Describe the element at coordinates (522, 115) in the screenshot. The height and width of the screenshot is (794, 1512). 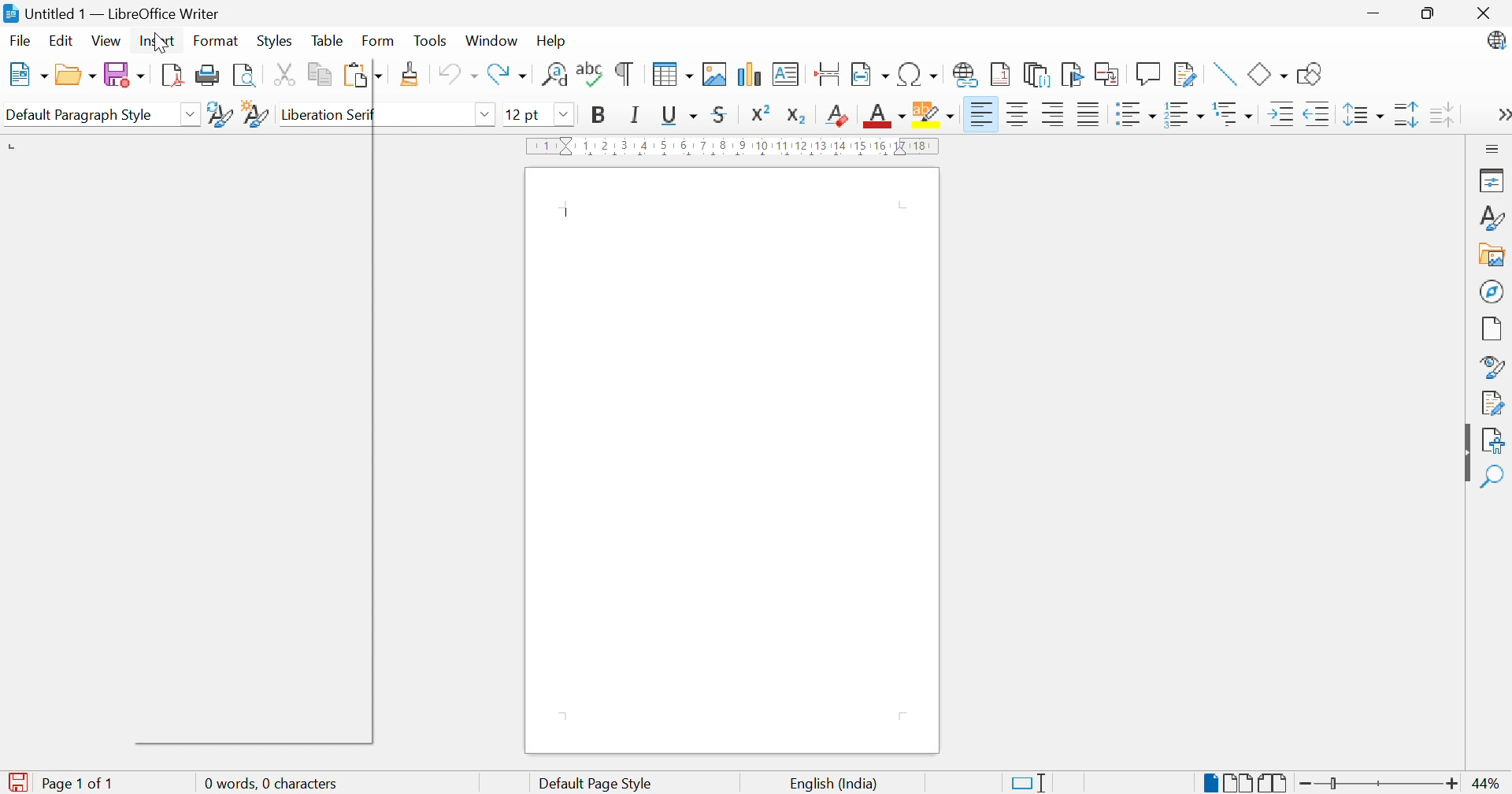
I see `12 pt` at that location.